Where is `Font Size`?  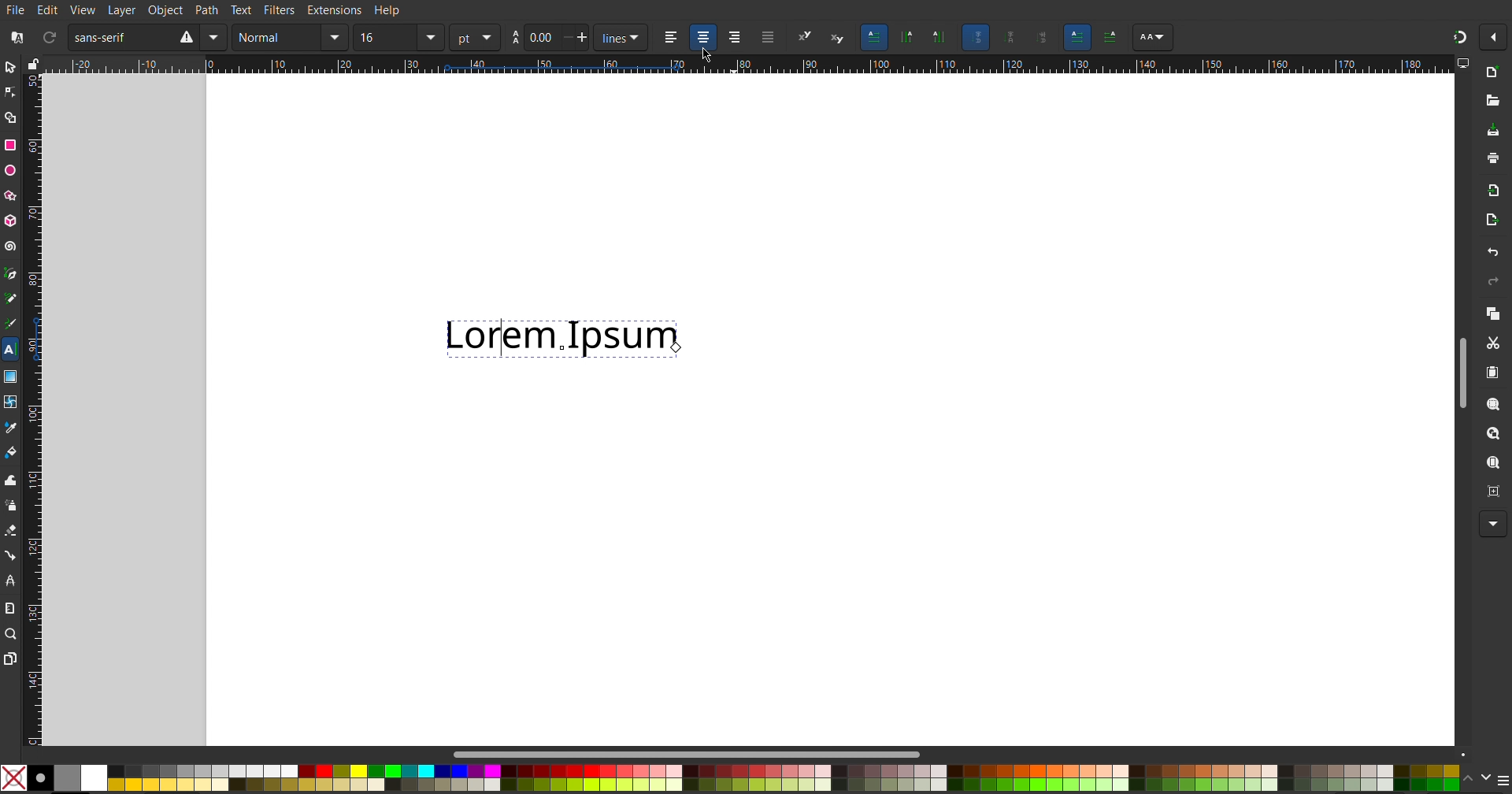
Font Size is located at coordinates (400, 35).